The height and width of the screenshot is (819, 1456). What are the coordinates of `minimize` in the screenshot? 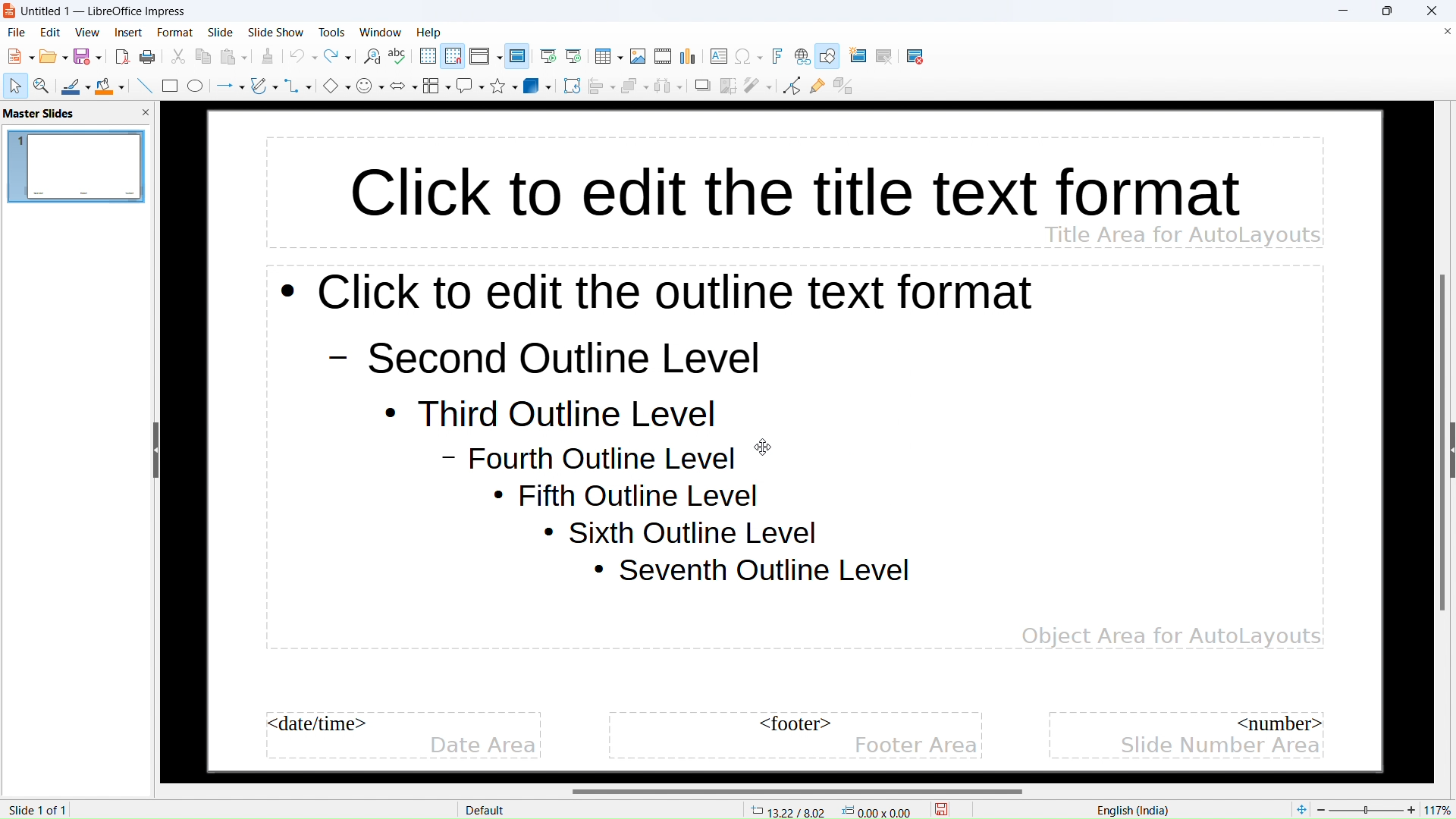 It's located at (1344, 11).